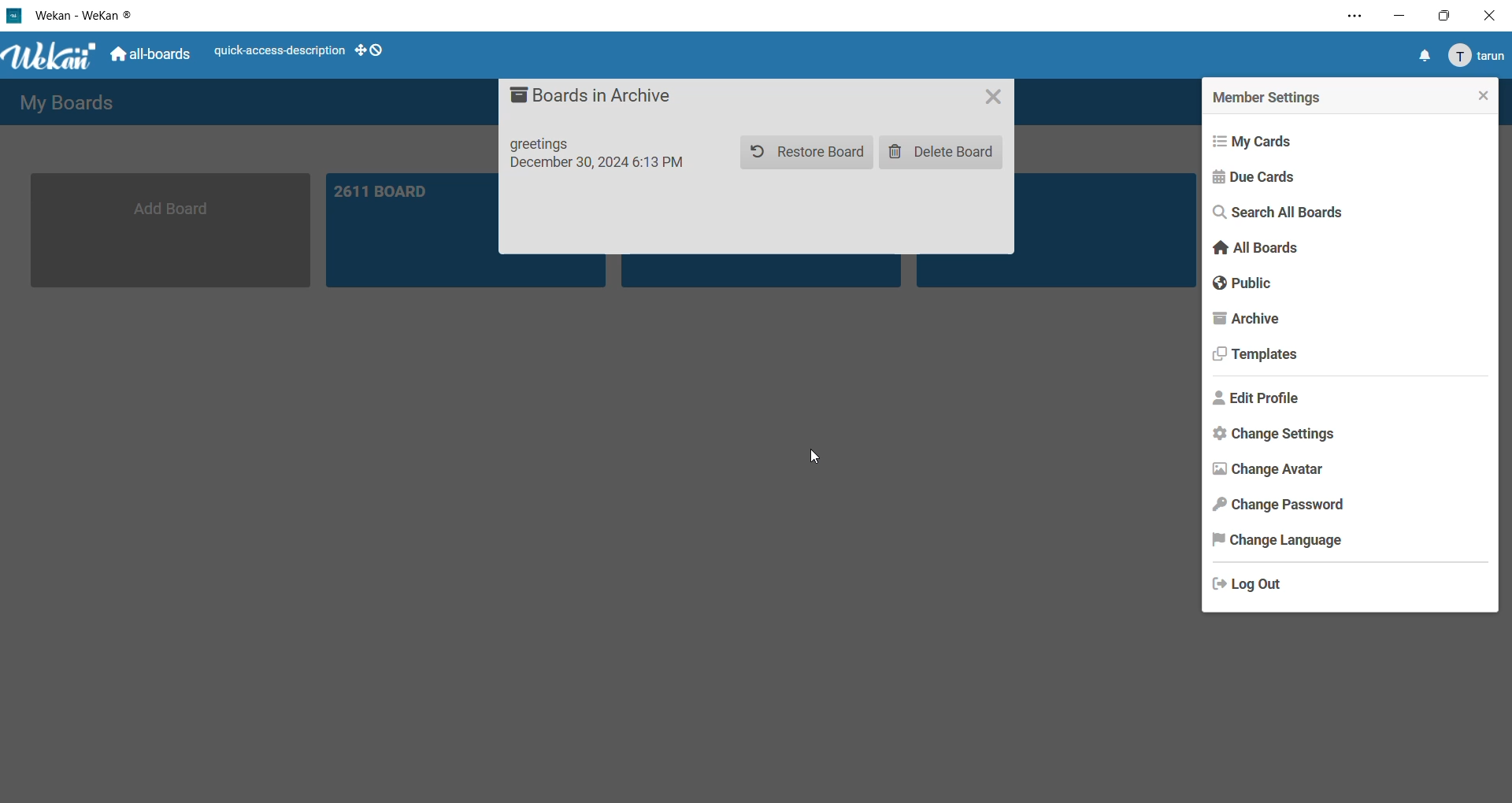 The height and width of the screenshot is (803, 1512). What do you see at coordinates (939, 154) in the screenshot?
I see `delete board` at bounding box center [939, 154].